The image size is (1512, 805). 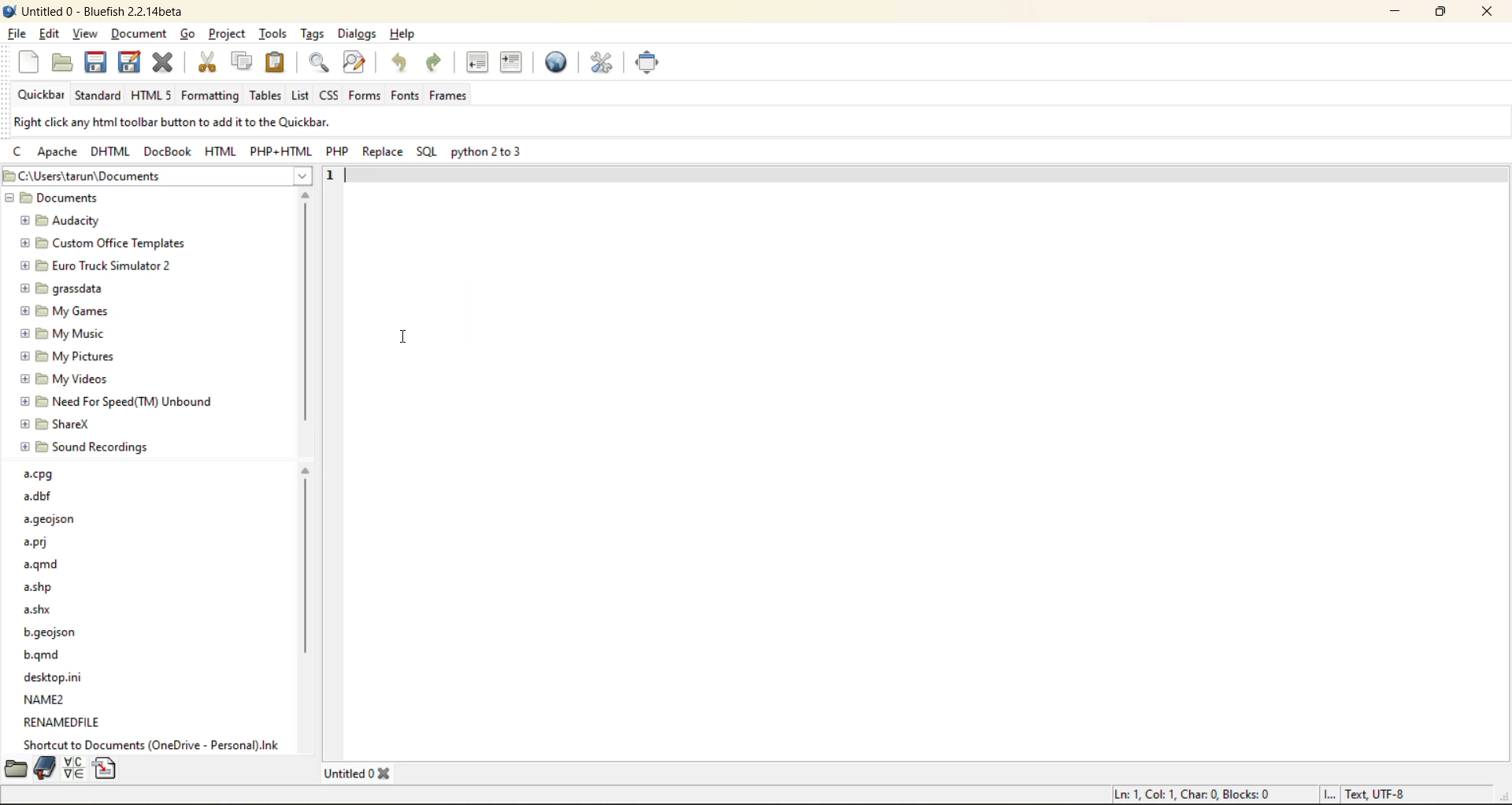 I want to click on html, so click(x=217, y=150).